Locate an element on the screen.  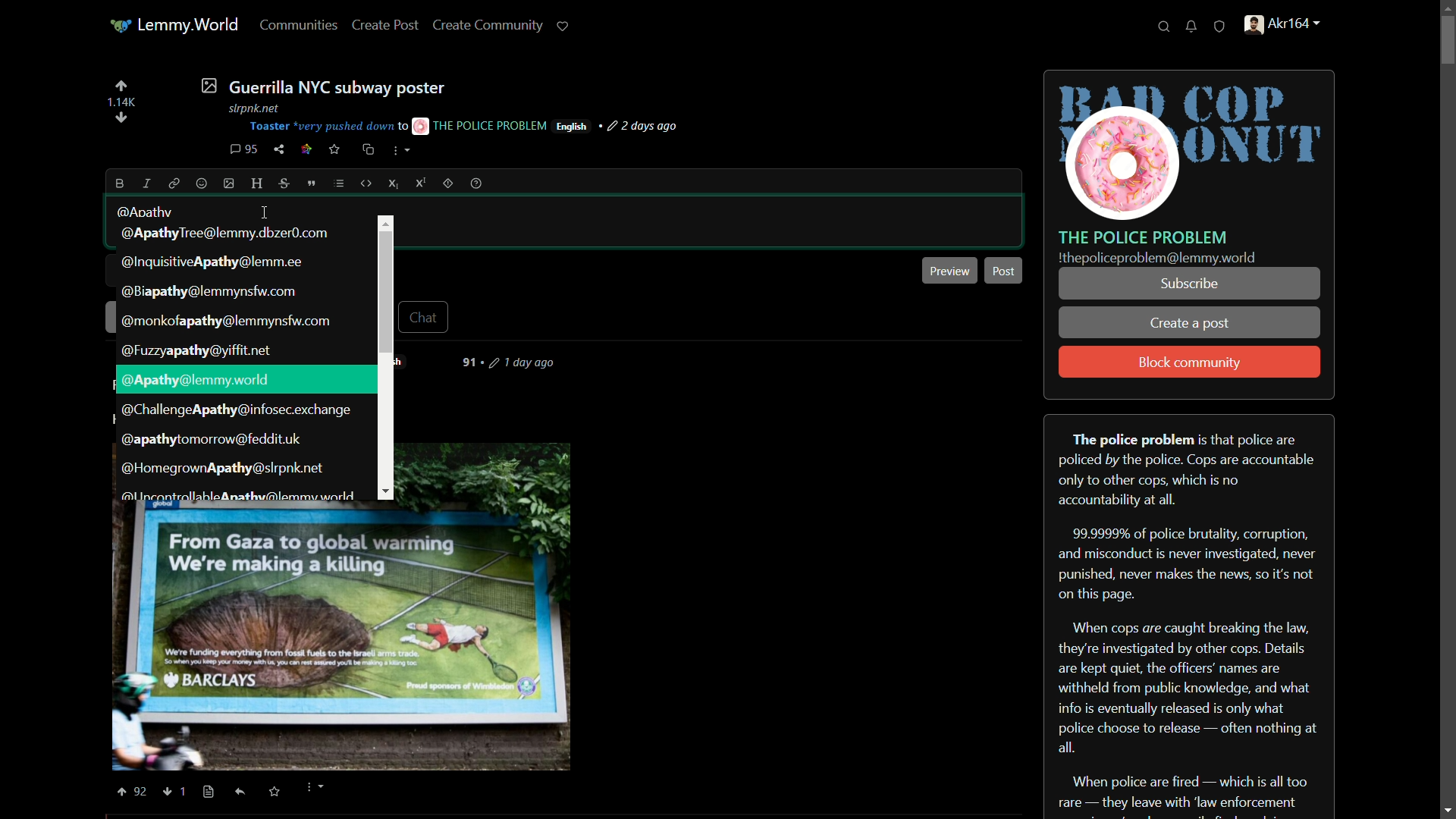
strikethrough is located at coordinates (286, 184).